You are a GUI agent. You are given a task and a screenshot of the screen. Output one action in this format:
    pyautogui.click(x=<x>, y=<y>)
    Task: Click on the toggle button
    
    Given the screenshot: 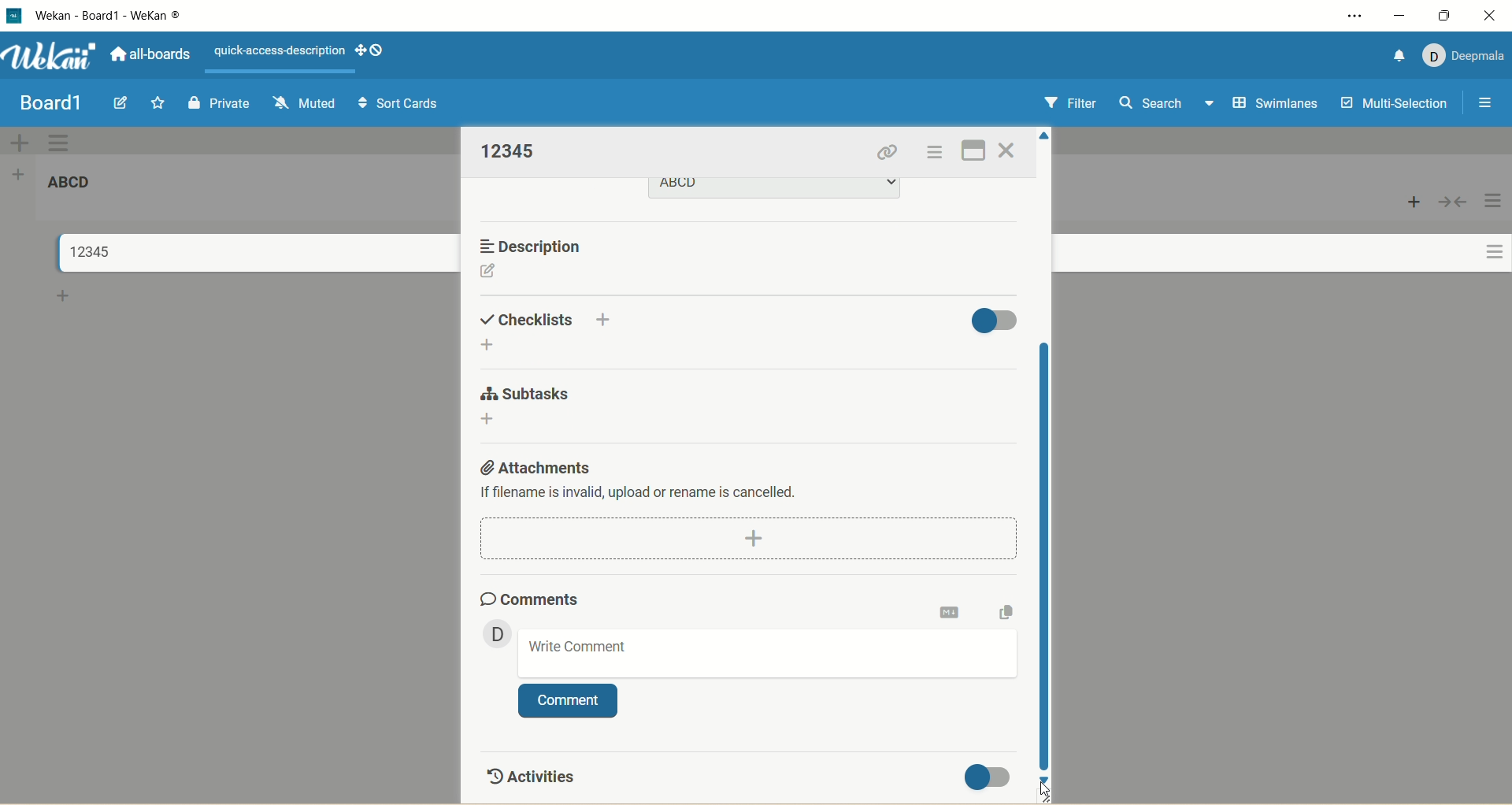 What is the action you would take?
    pyautogui.click(x=995, y=318)
    